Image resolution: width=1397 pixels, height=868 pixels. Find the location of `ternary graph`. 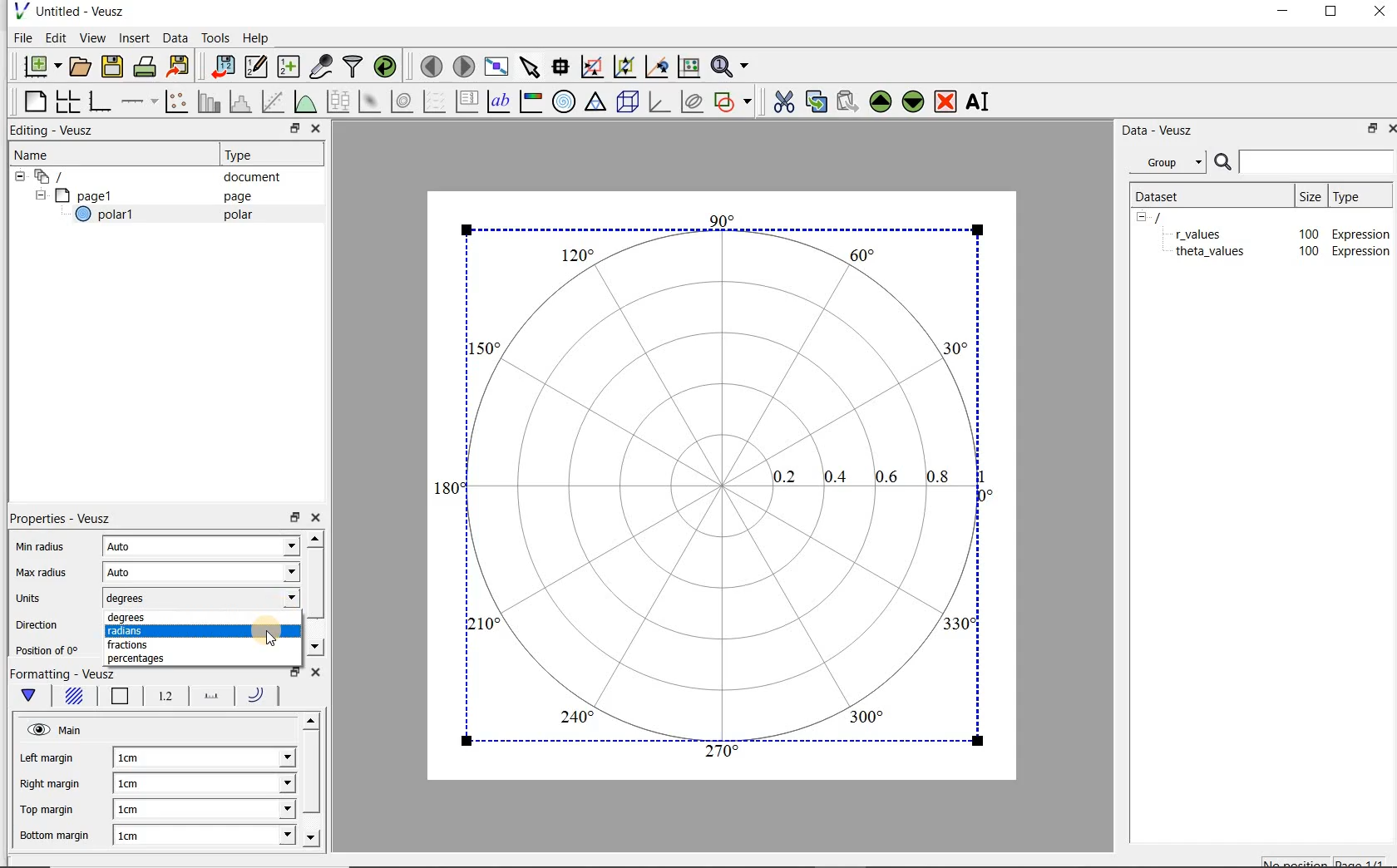

ternary graph is located at coordinates (597, 102).